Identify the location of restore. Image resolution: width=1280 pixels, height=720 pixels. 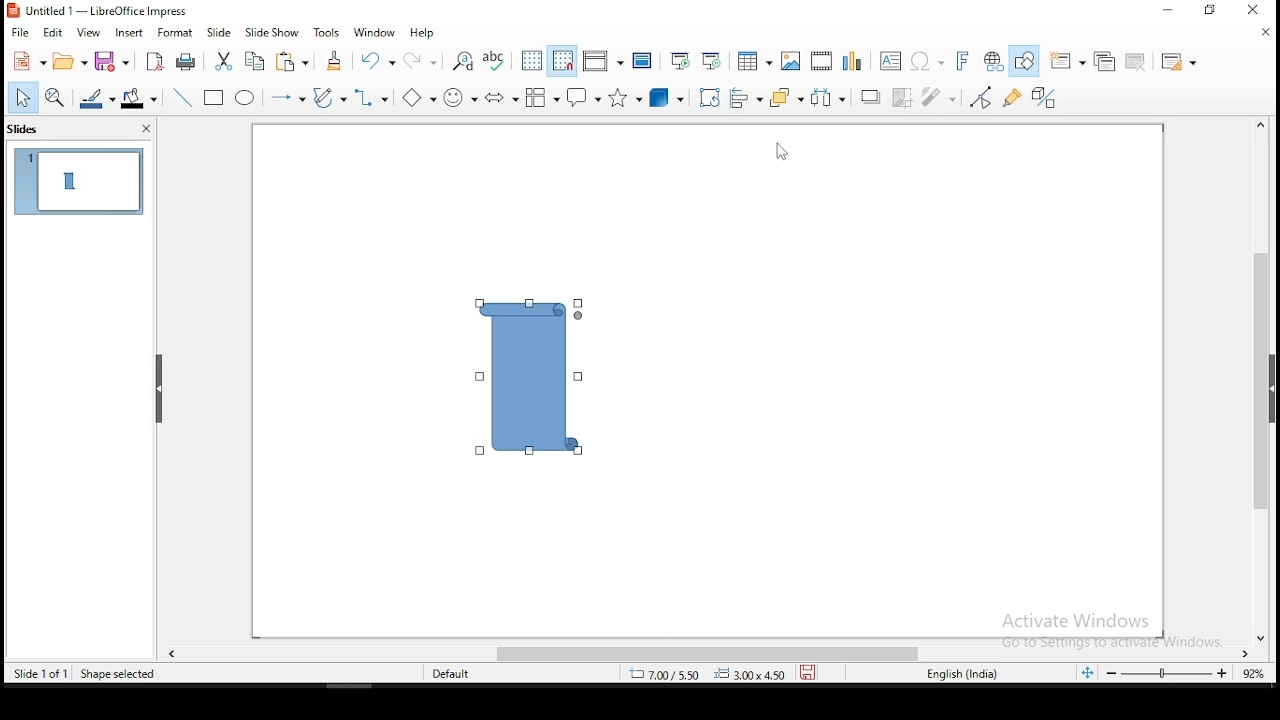
(1210, 10).